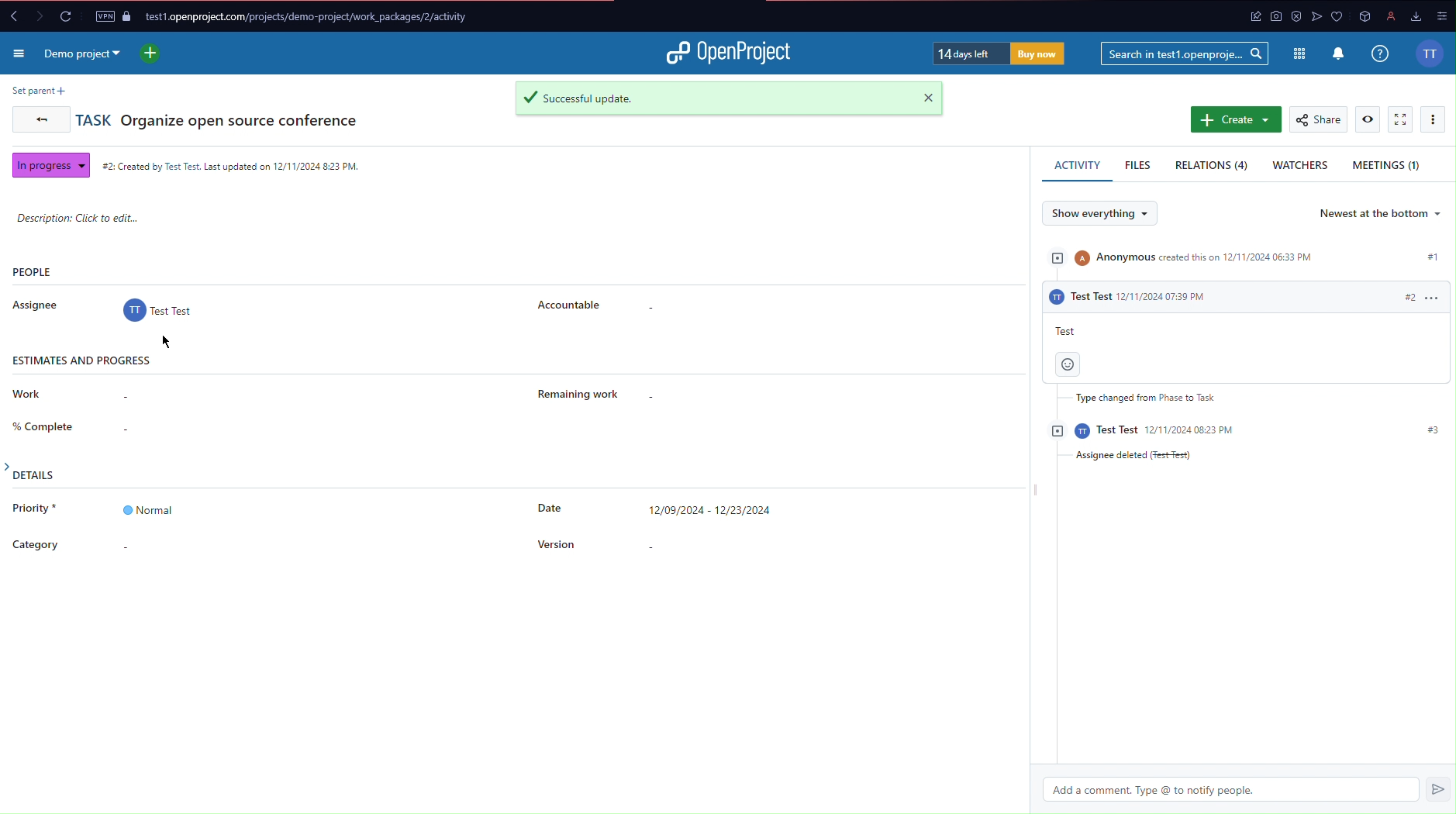 The image size is (1456, 814). I want to click on Complete, so click(47, 424).